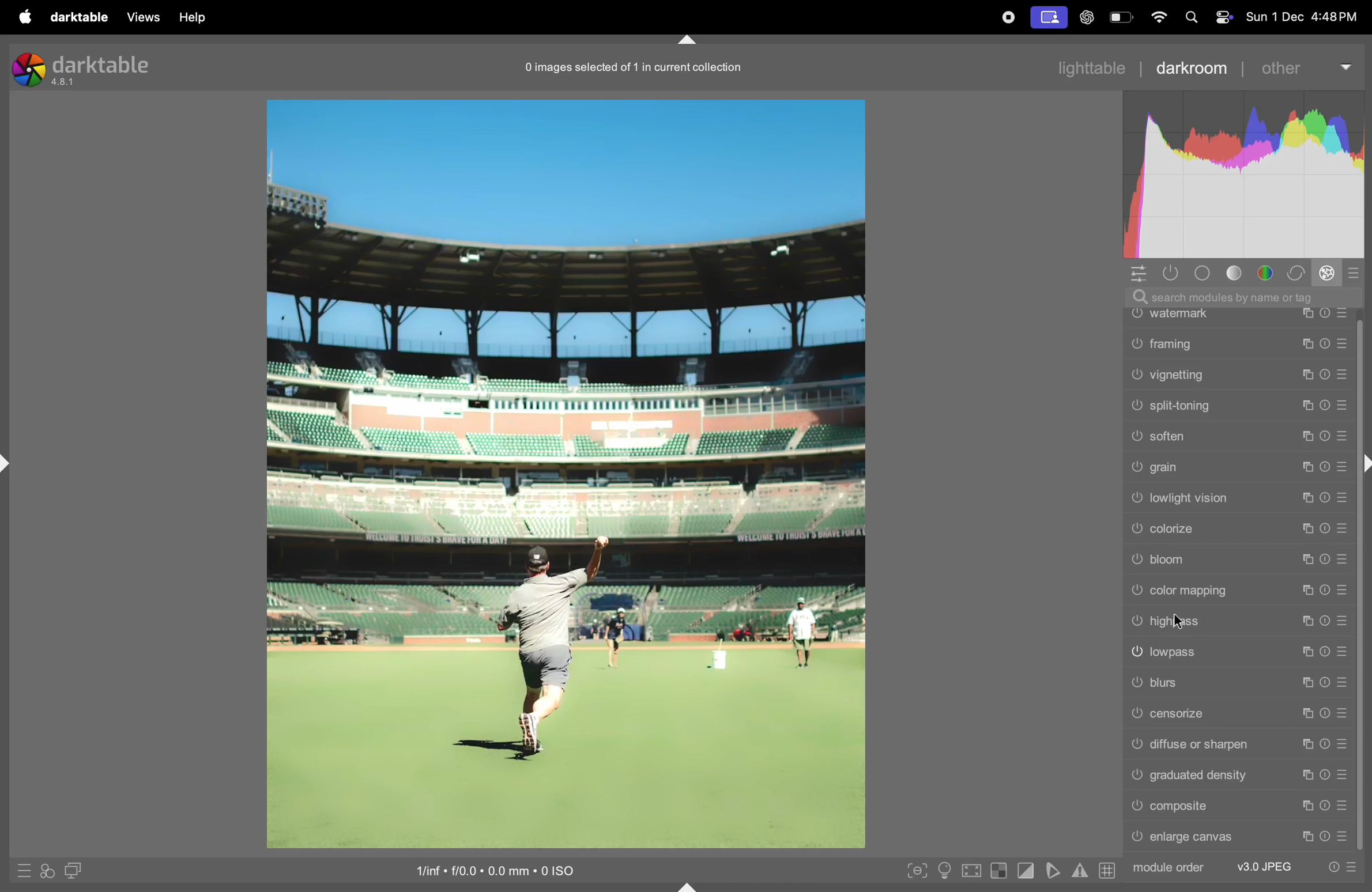 This screenshot has height=892, width=1372. I want to click on compatible, so click(1238, 807).